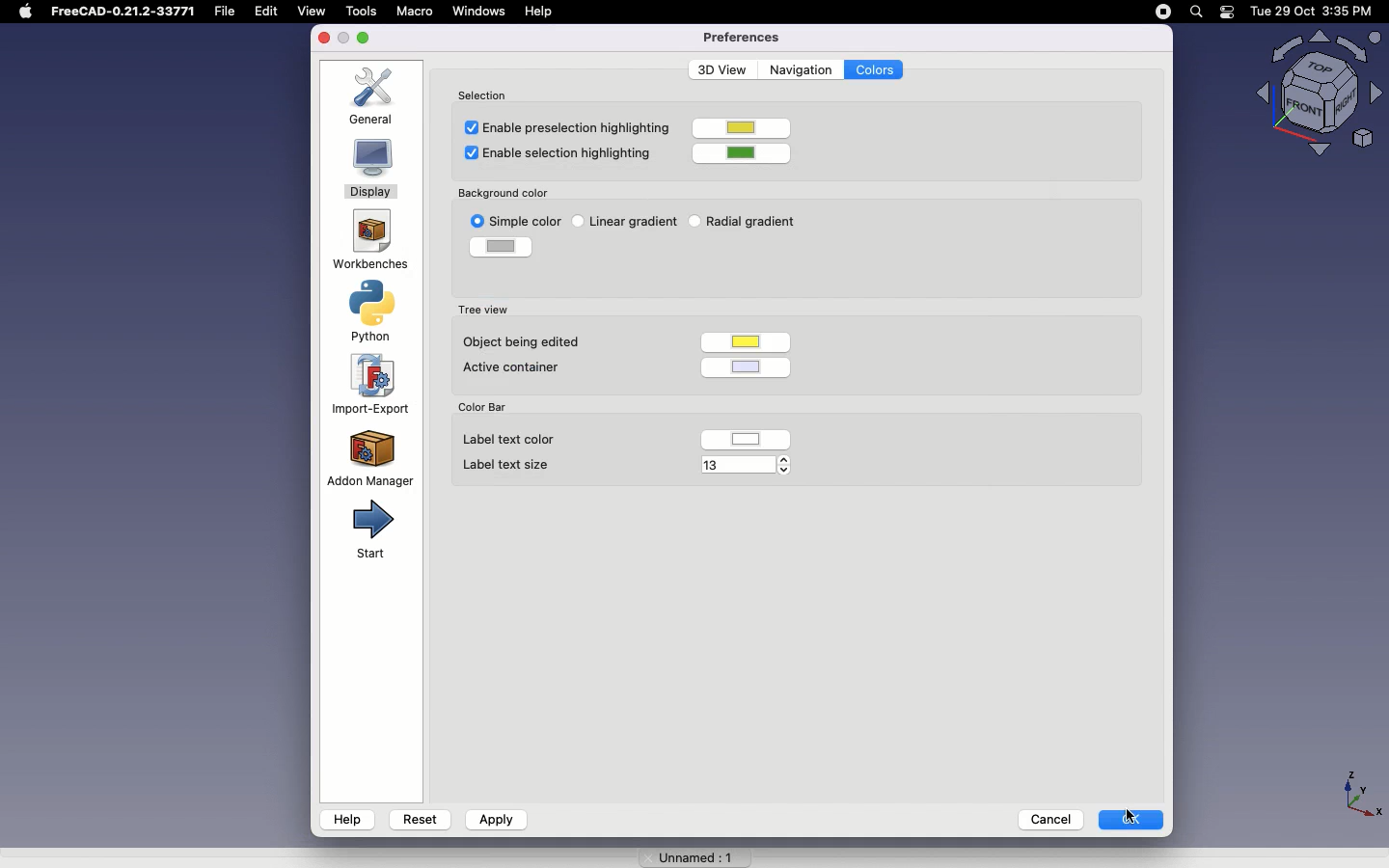  What do you see at coordinates (1132, 819) in the screenshot?
I see `OK` at bounding box center [1132, 819].